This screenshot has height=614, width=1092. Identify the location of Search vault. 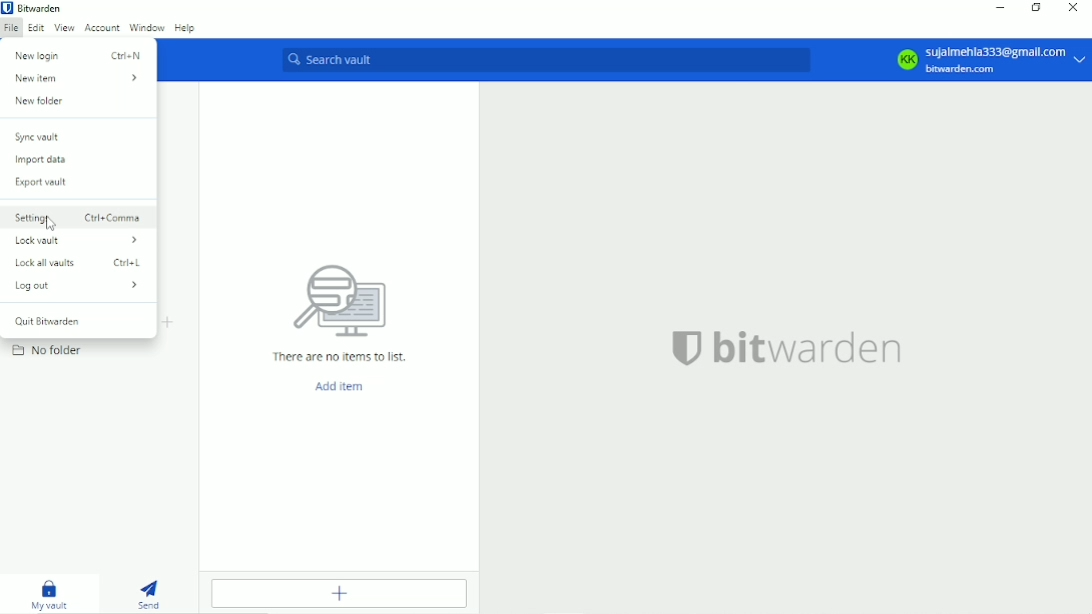
(543, 60).